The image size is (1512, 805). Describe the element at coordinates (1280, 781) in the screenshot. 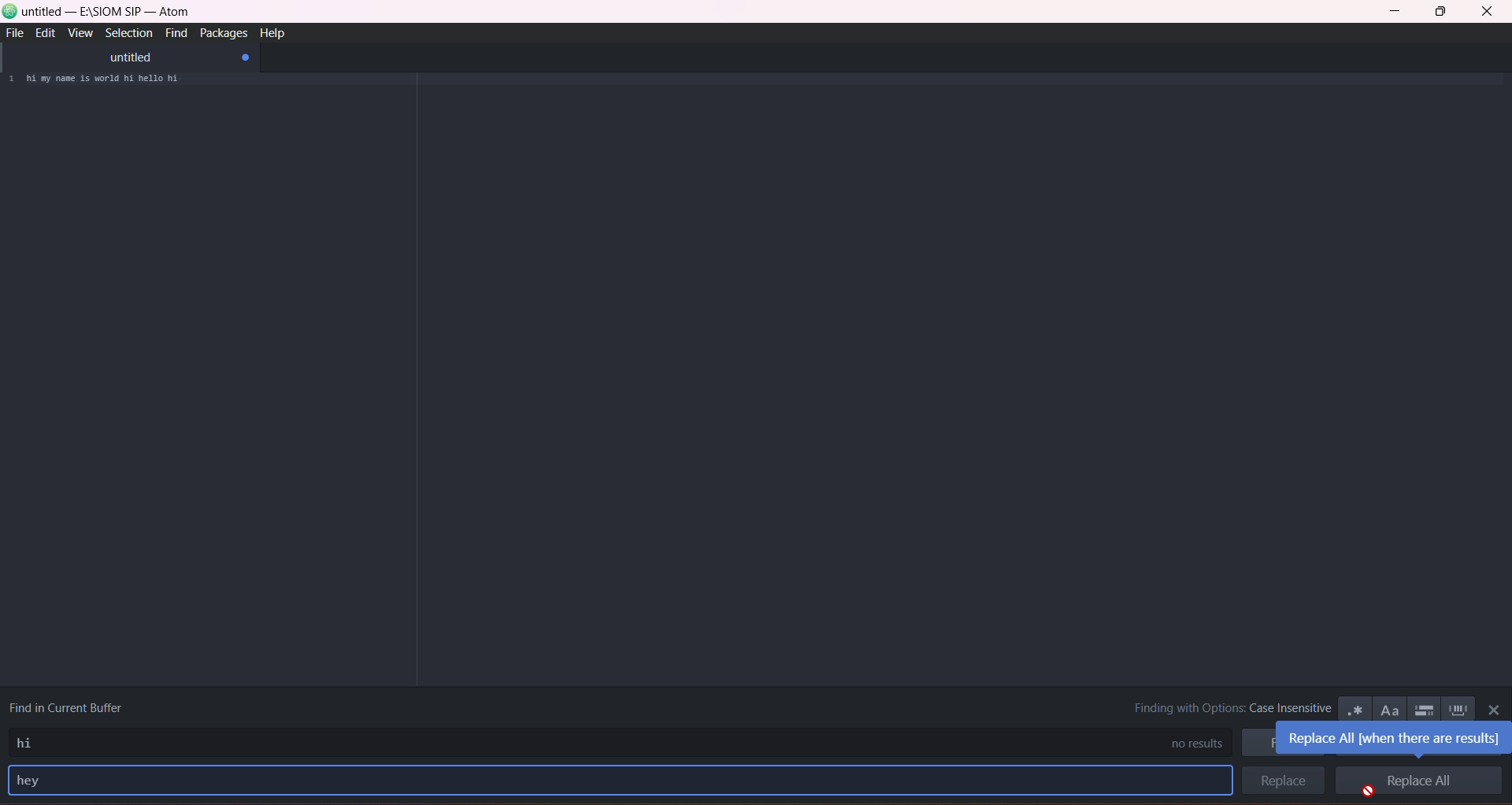

I see `replace` at that location.